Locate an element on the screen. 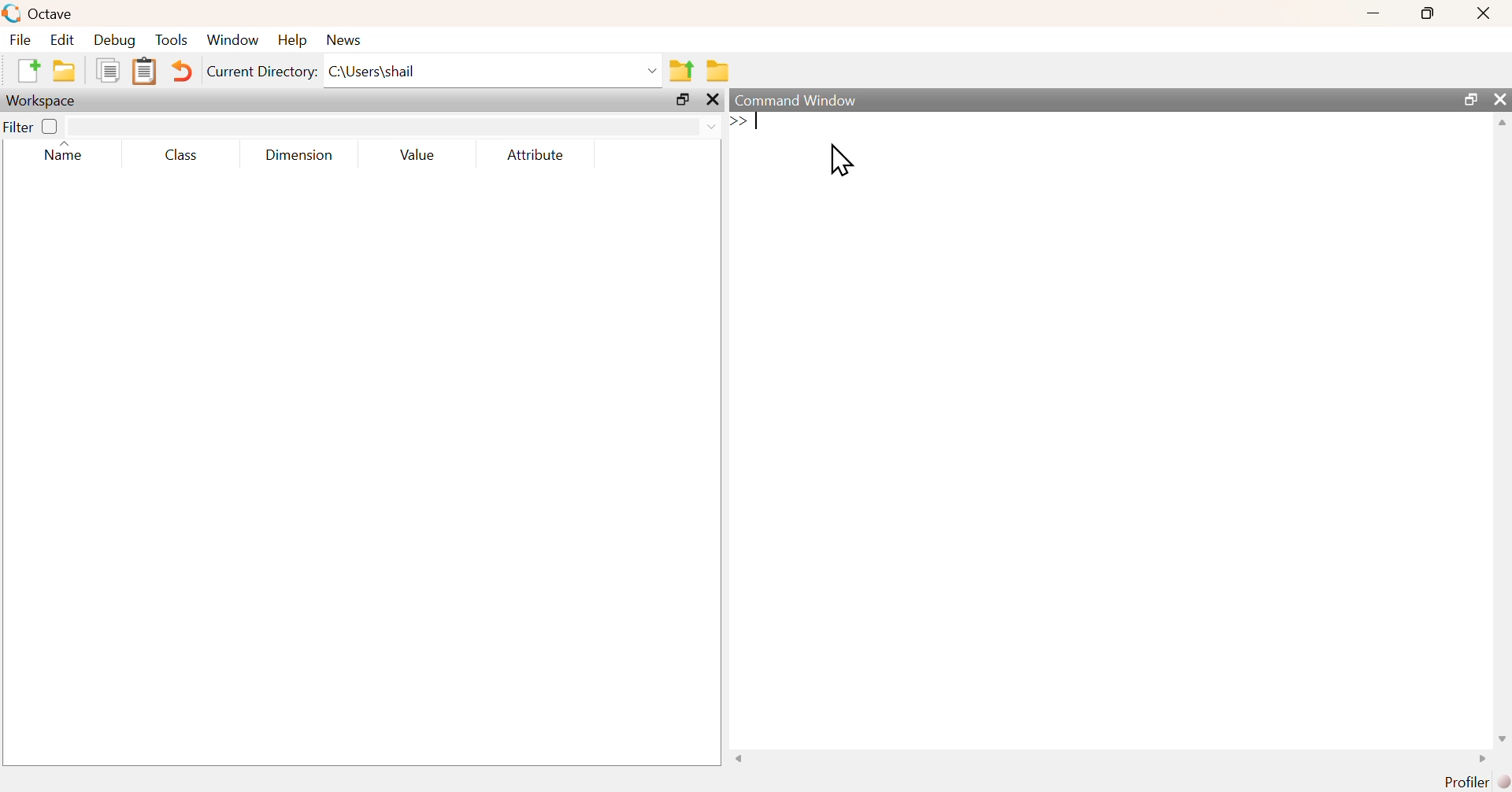  Help is located at coordinates (291, 39).